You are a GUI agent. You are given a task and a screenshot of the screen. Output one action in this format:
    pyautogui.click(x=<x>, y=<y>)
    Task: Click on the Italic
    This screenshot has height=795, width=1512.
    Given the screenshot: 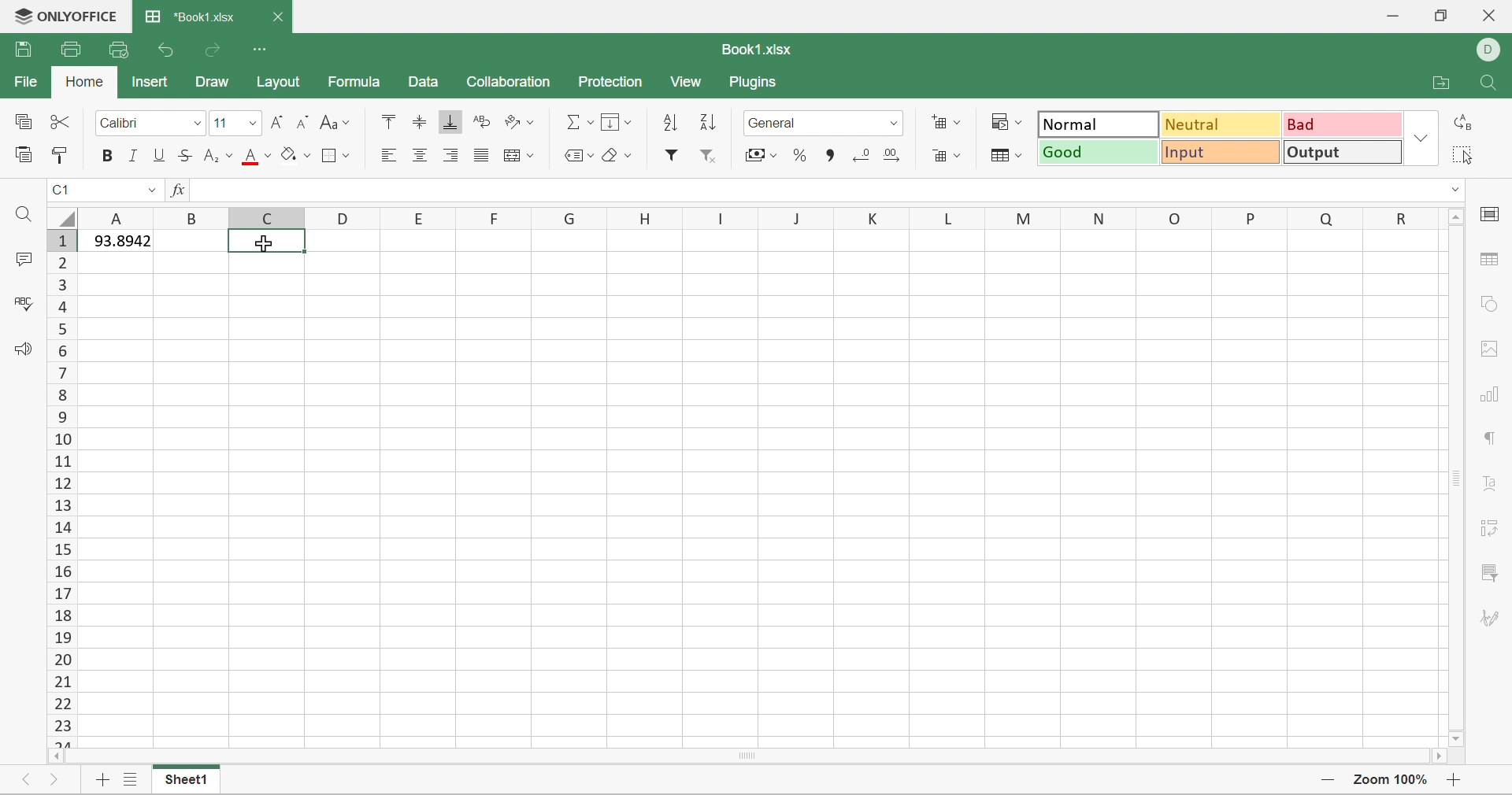 What is the action you would take?
    pyautogui.click(x=133, y=154)
    